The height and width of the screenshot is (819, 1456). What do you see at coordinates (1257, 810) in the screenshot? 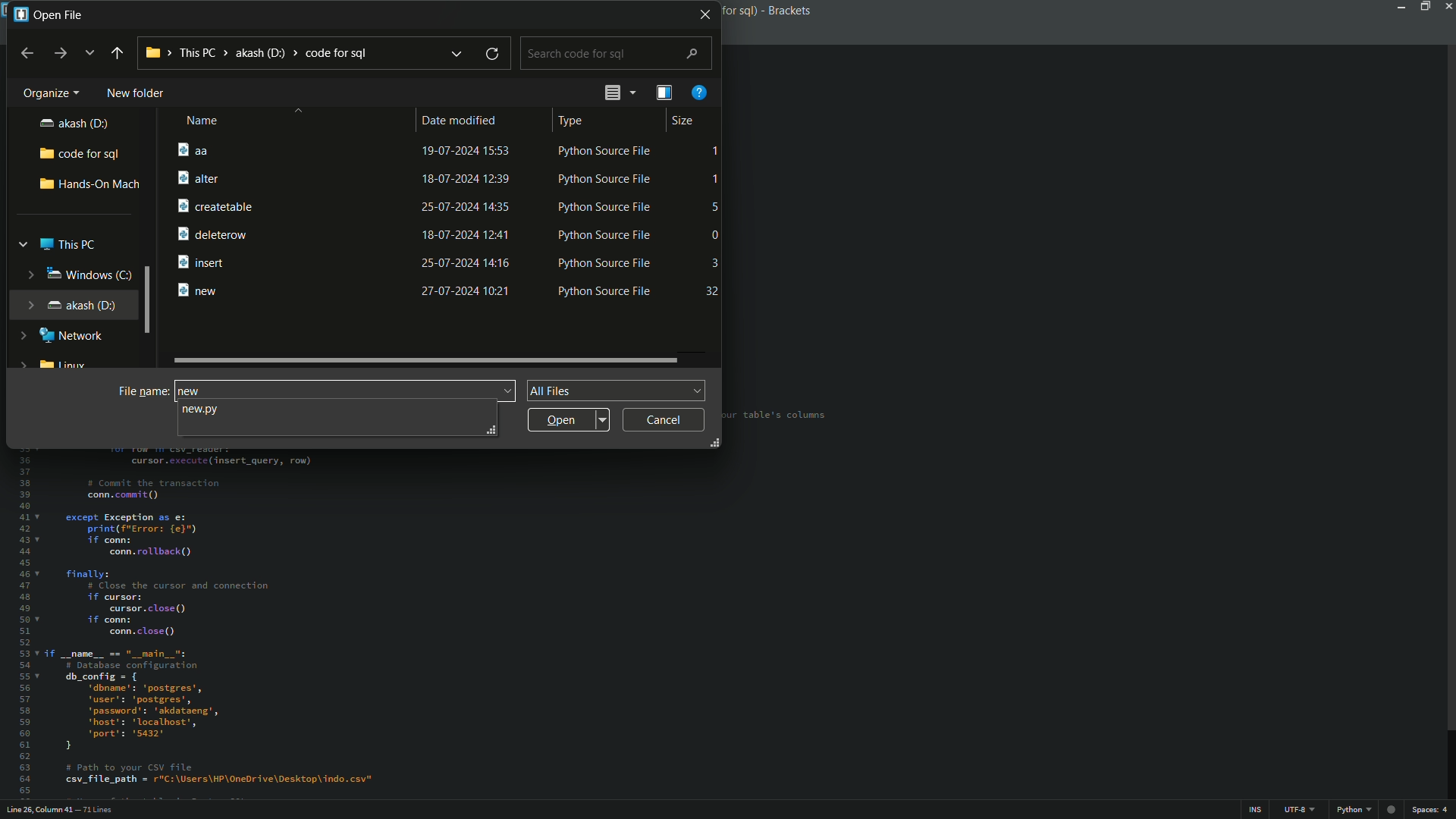
I see `ins` at bounding box center [1257, 810].